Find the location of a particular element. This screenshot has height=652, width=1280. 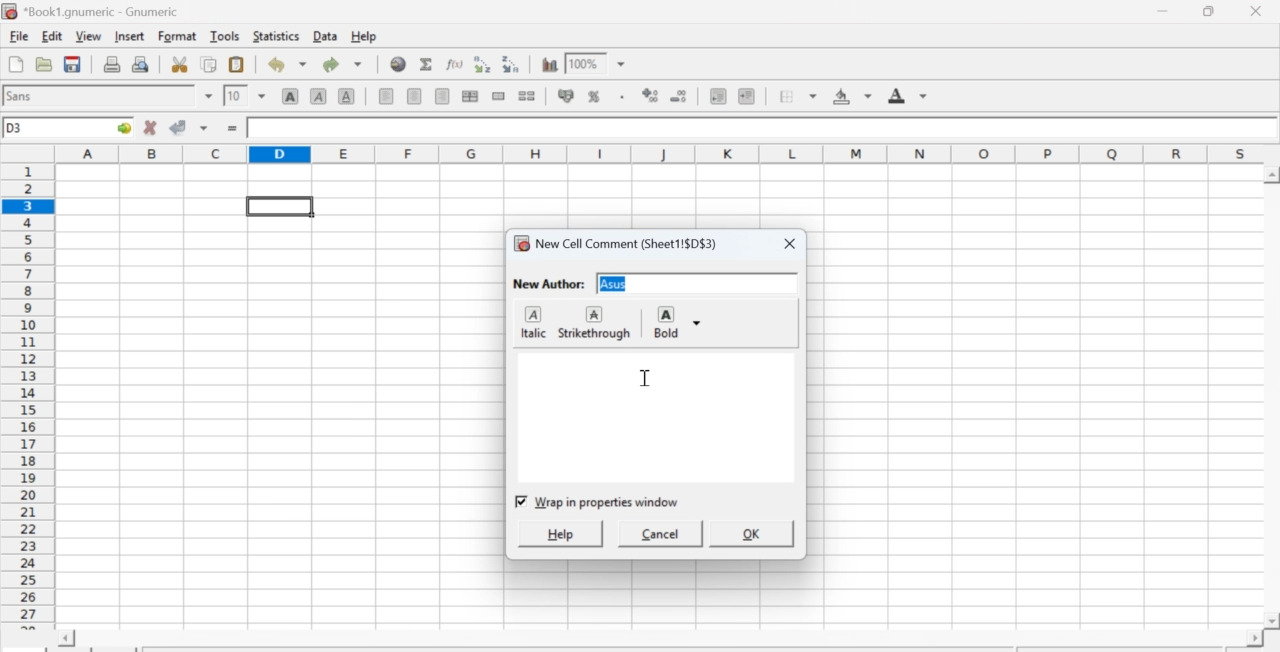

Statistics is located at coordinates (278, 36).